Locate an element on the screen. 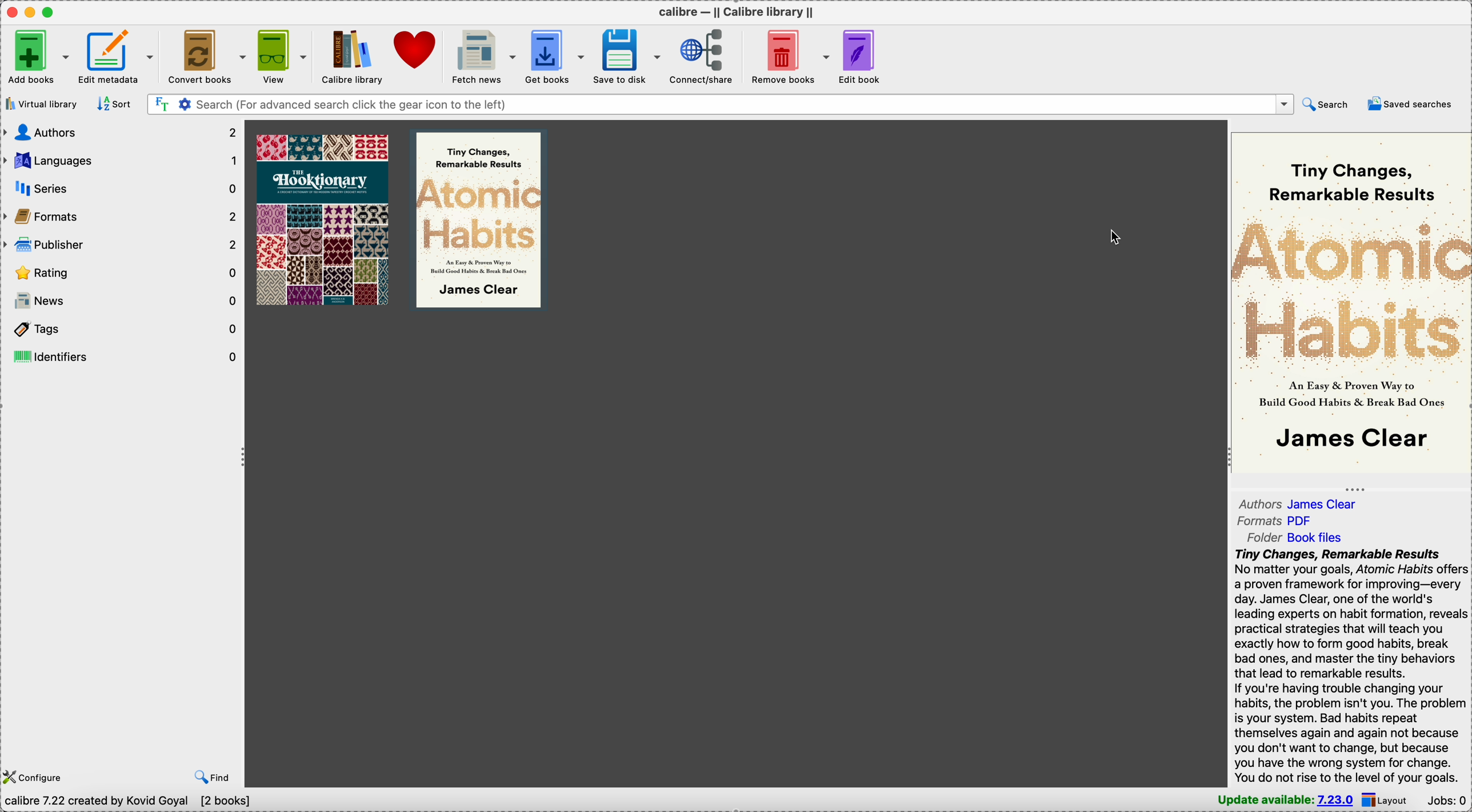 This screenshot has width=1472, height=812. donate is located at coordinates (417, 49).